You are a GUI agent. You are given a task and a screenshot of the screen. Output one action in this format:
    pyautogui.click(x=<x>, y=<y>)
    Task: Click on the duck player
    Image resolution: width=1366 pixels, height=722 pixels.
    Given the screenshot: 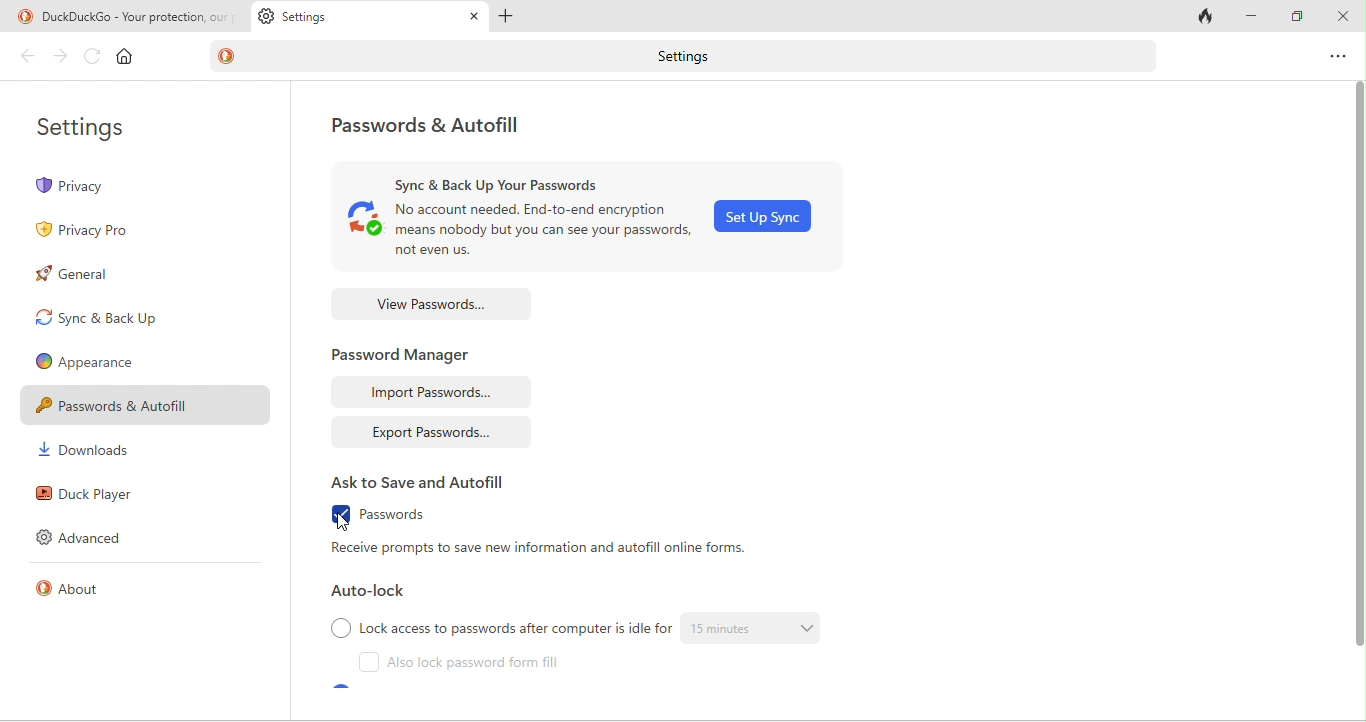 What is the action you would take?
    pyautogui.click(x=106, y=496)
    